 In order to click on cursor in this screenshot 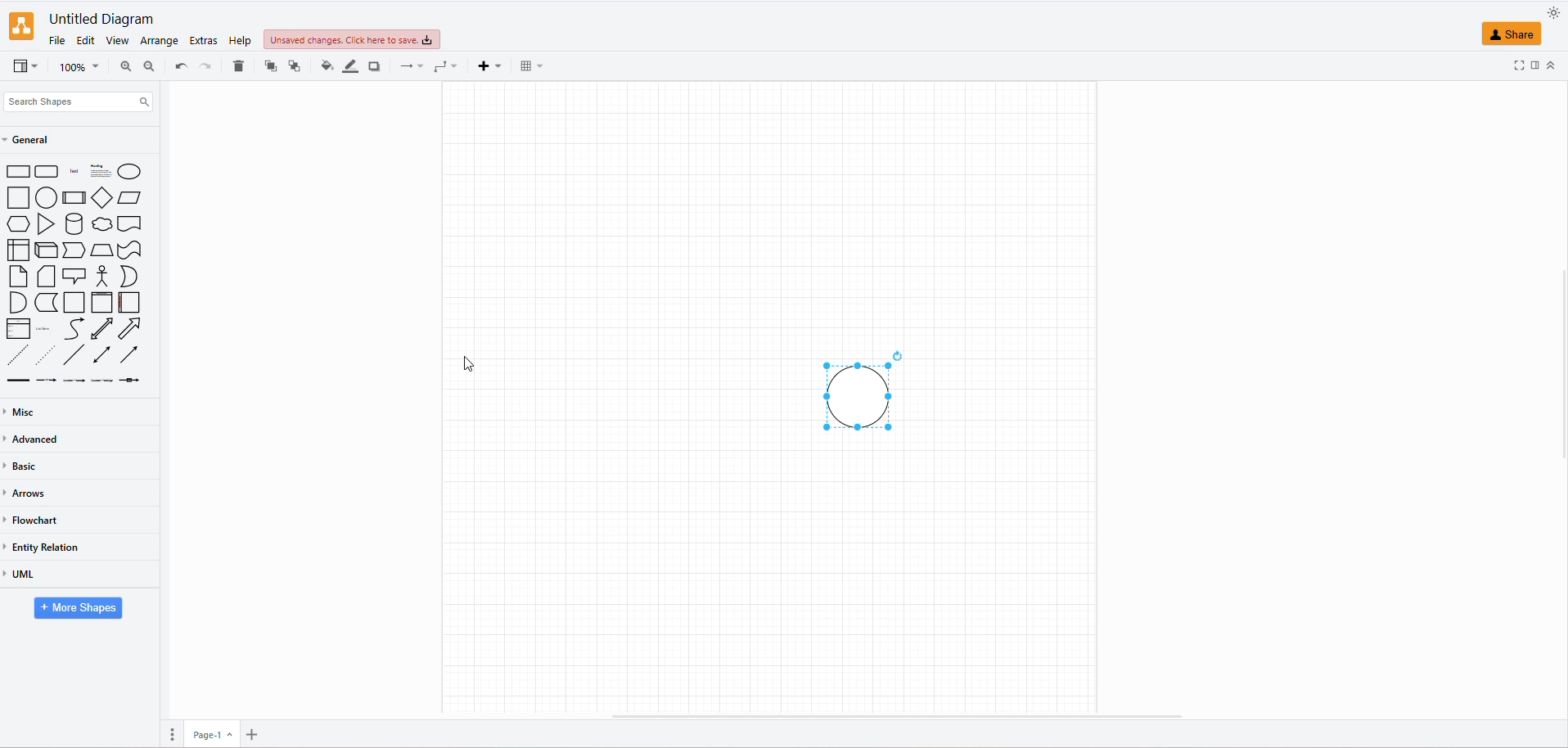, I will do `click(471, 361)`.